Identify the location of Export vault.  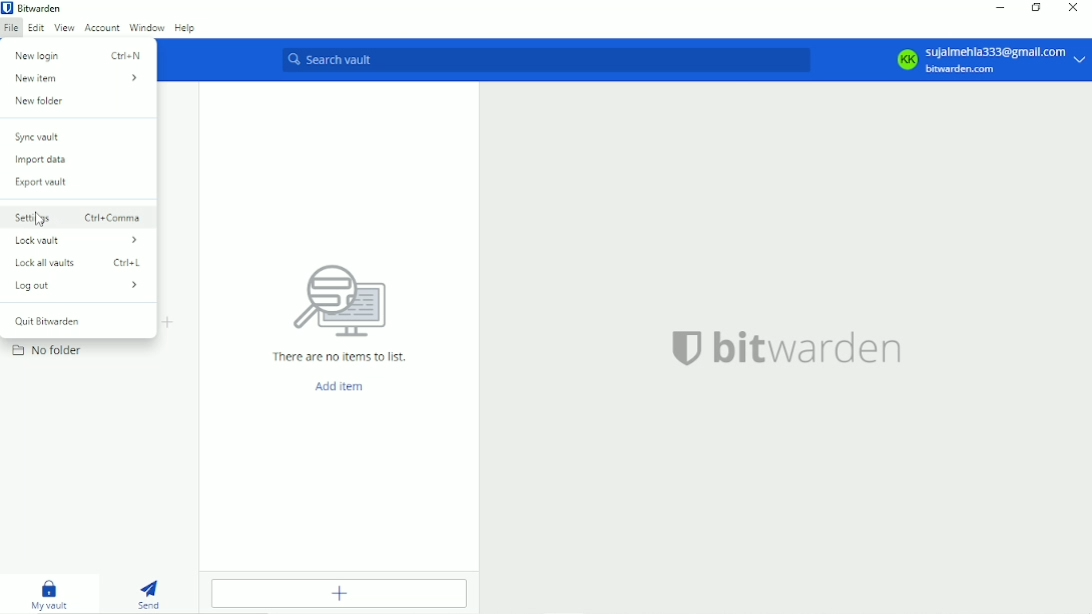
(41, 184).